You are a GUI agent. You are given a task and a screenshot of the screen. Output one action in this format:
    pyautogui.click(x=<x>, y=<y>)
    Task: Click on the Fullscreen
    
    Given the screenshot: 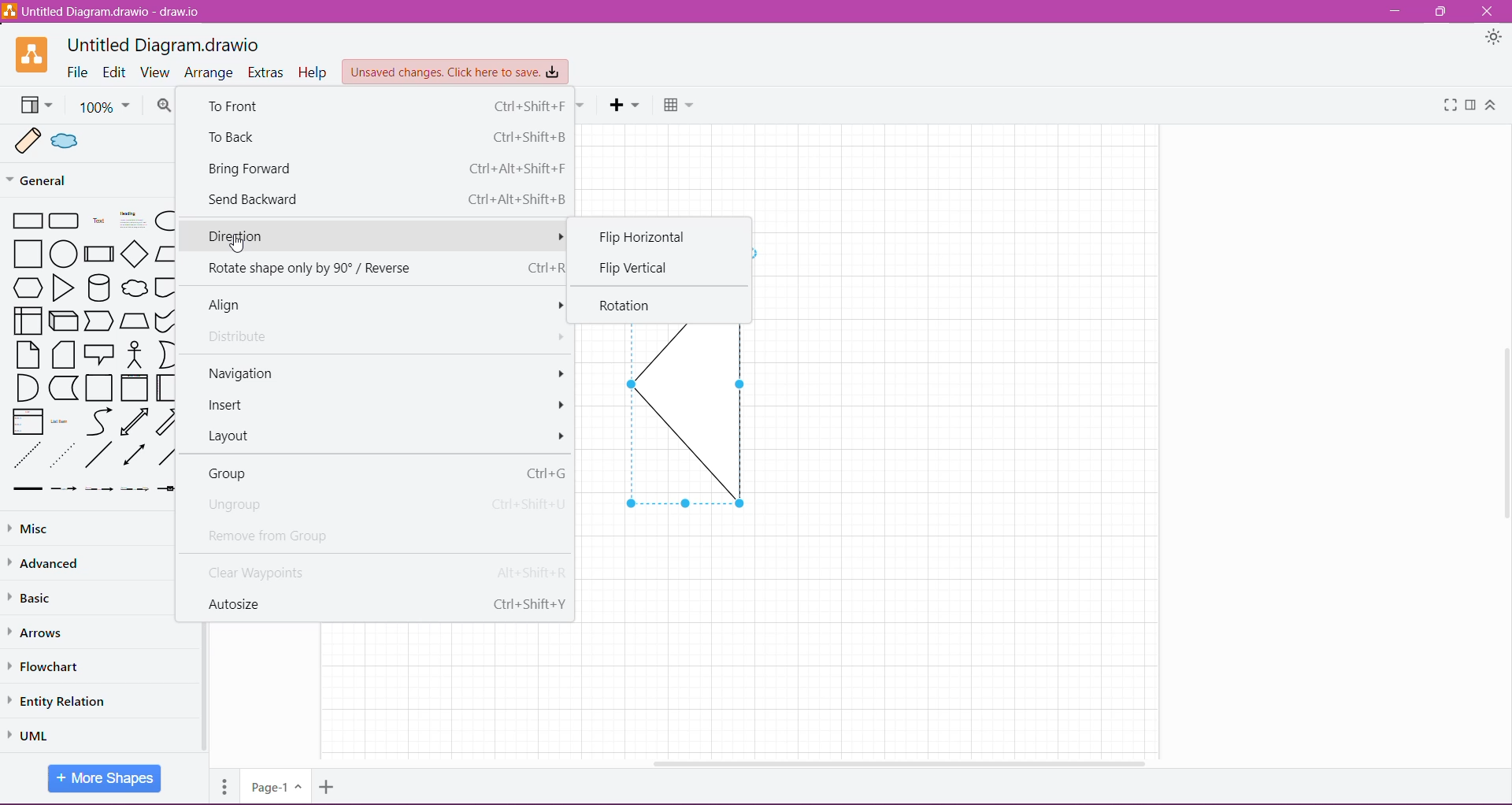 What is the action you would take?
    pyautogui.click(x=1451, y=106)
    